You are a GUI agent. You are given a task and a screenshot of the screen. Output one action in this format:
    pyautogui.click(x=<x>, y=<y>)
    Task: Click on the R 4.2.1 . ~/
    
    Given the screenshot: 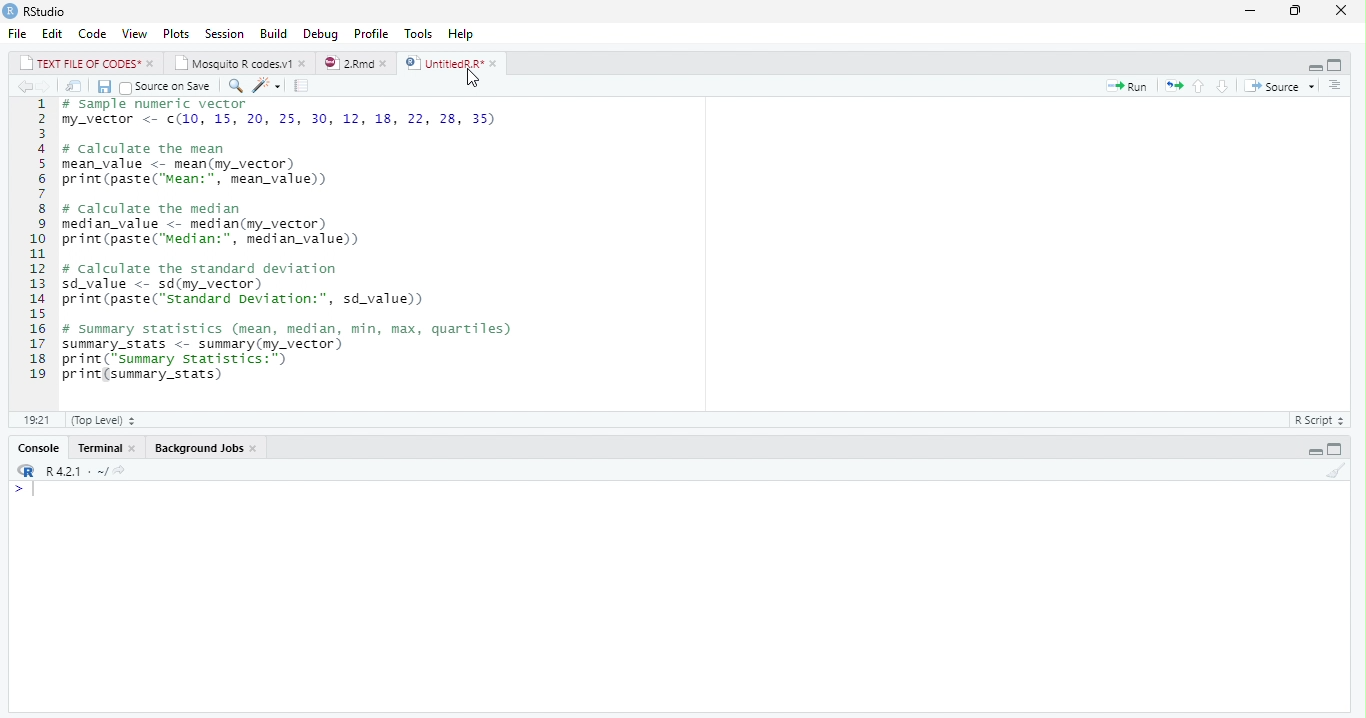 What is the action you would take?
    pyautogui.click(x=86, y=472)
    